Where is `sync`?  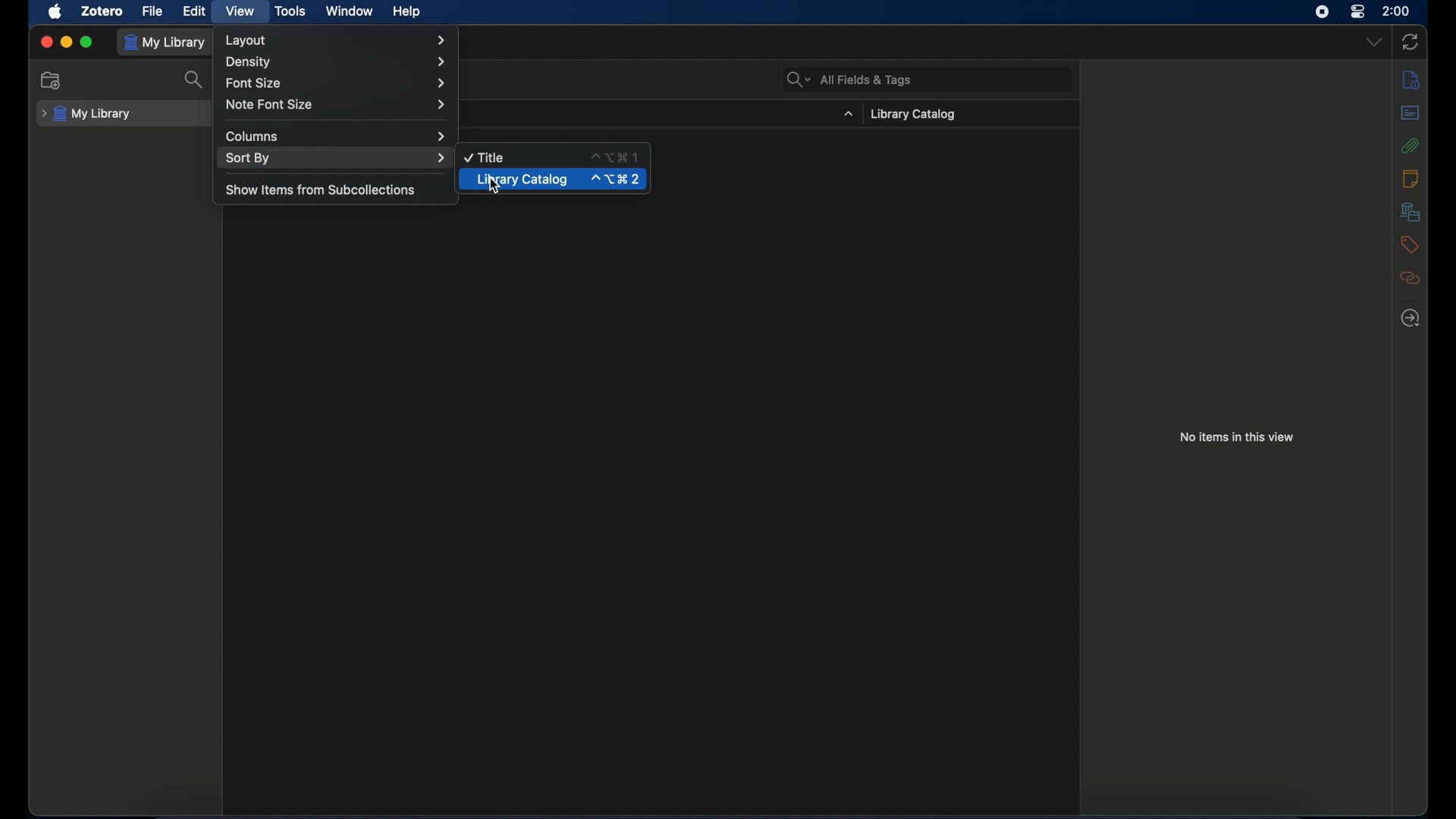
sync is located at coordinates (1410, 40).